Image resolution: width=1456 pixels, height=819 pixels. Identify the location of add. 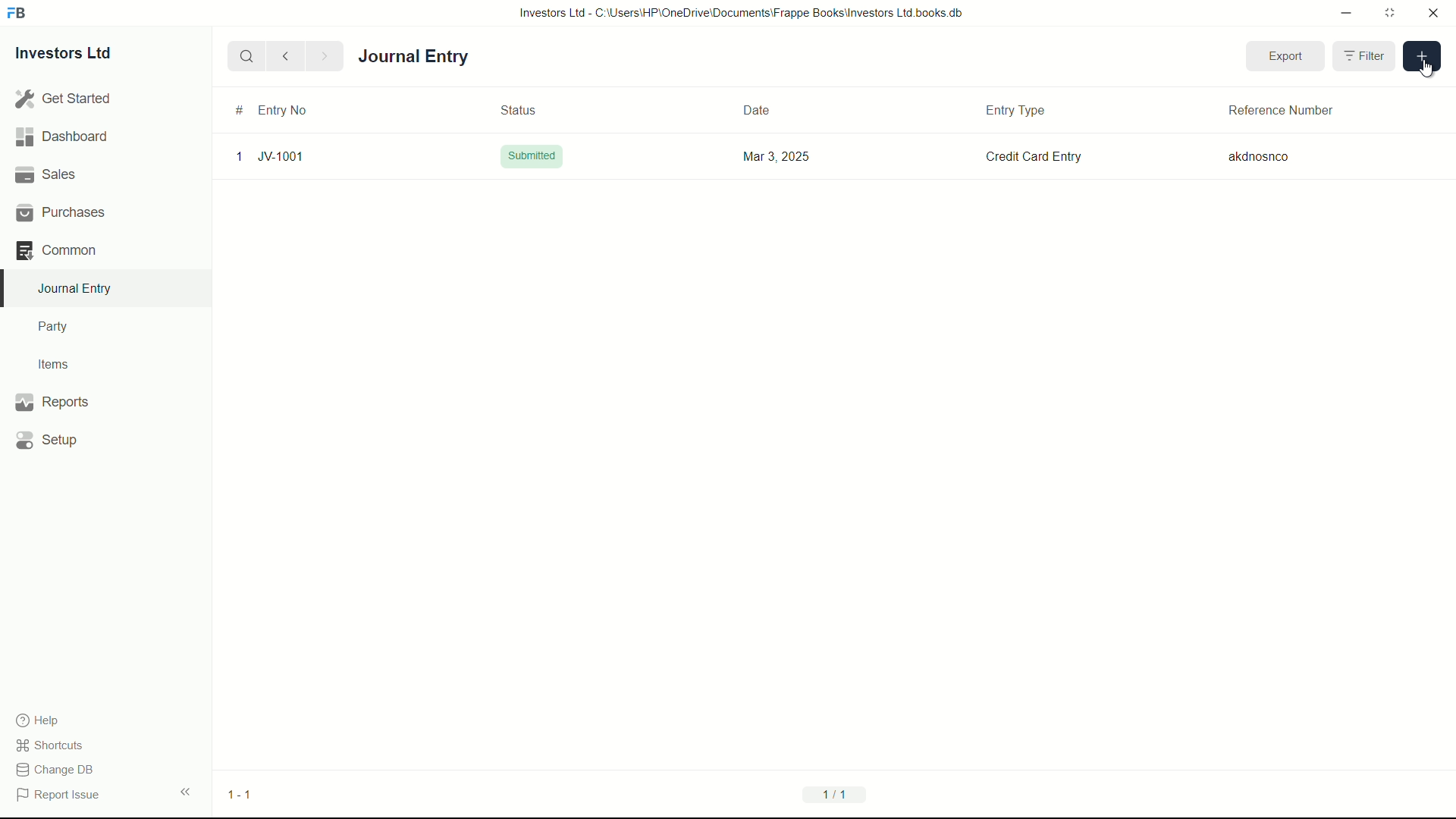
(1421, 58).